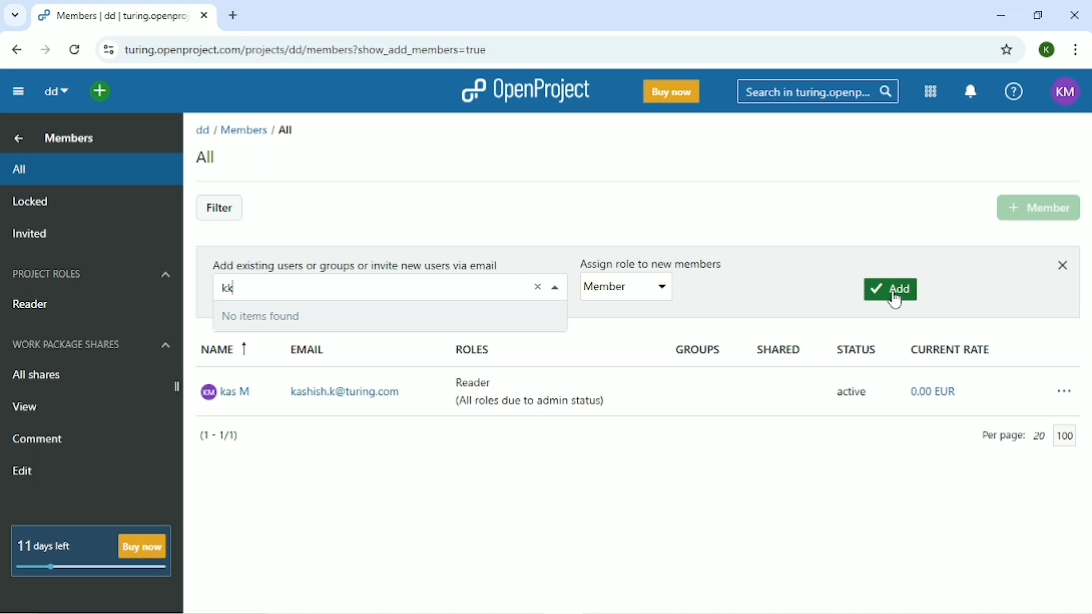 This screenshot has height=614, width=1092. What do you see at coordinates (670, 91) in the screenshot?
I see `Buy now` at bounding box center [670, 91].